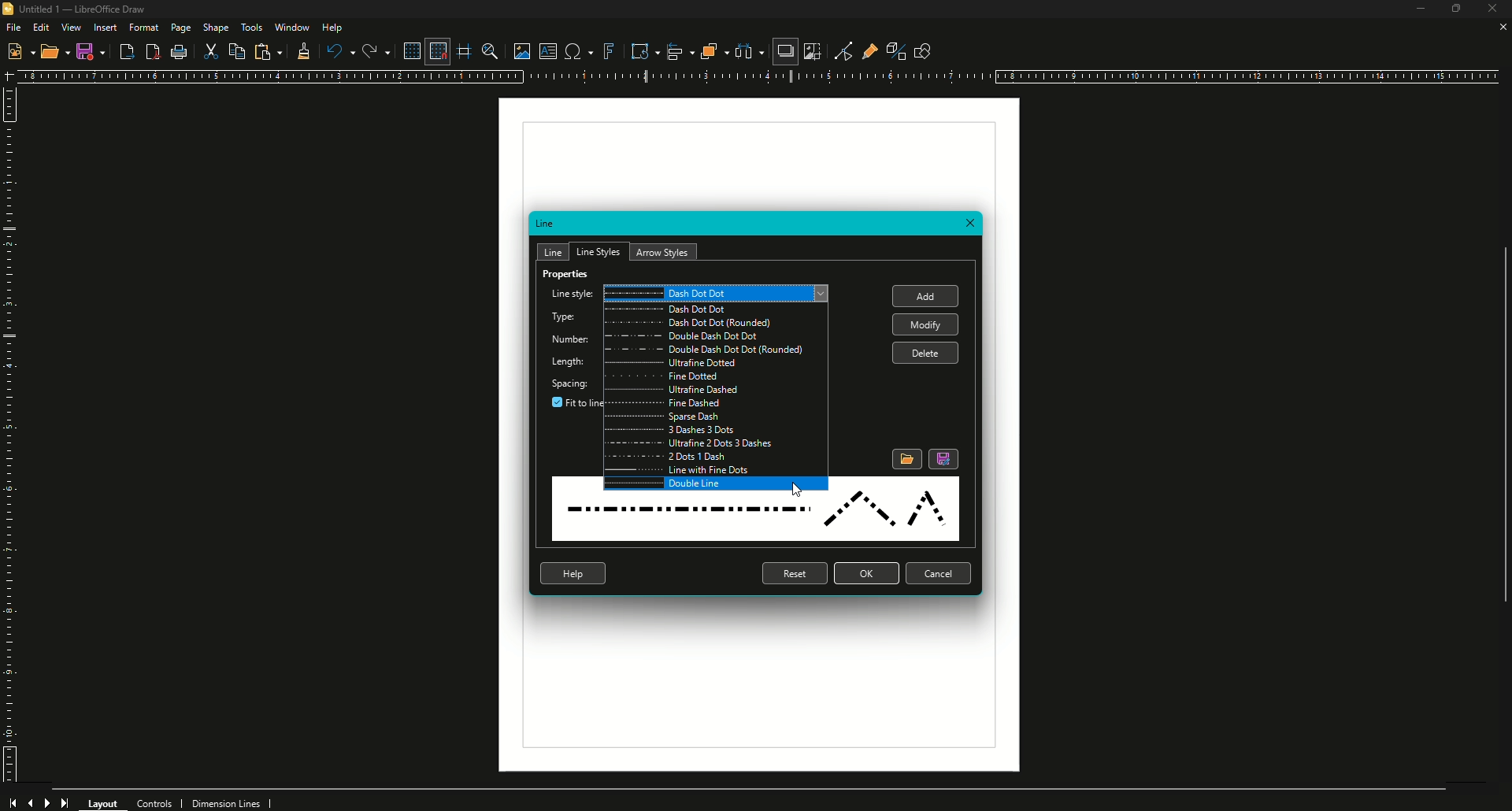 Image resolution: width=1512 pixels, height=811 pixels. I want to click on Insert Image, so click(517, 49).